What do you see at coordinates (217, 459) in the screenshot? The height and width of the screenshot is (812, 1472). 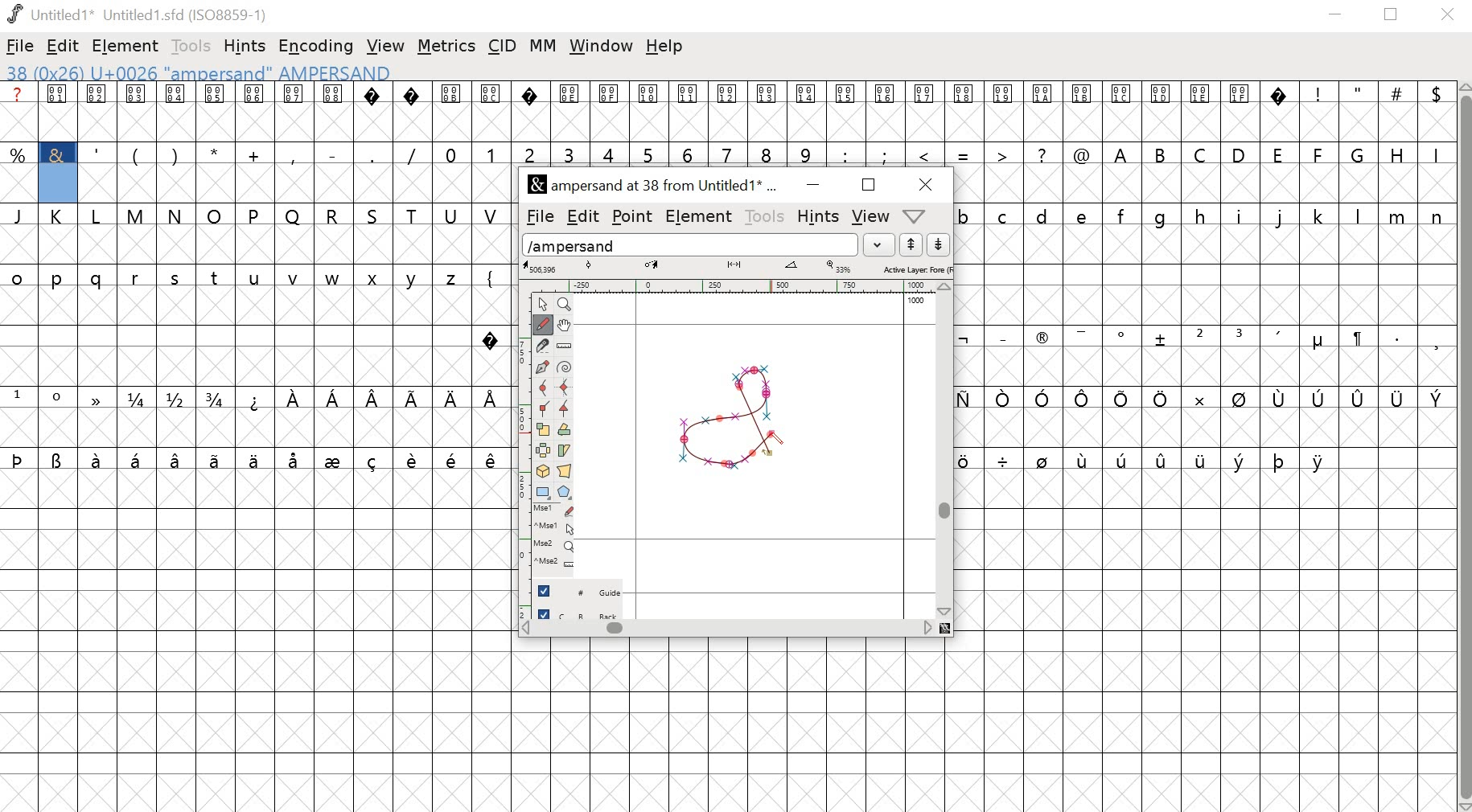 I see `symbol` at bounding box center [217, 459].